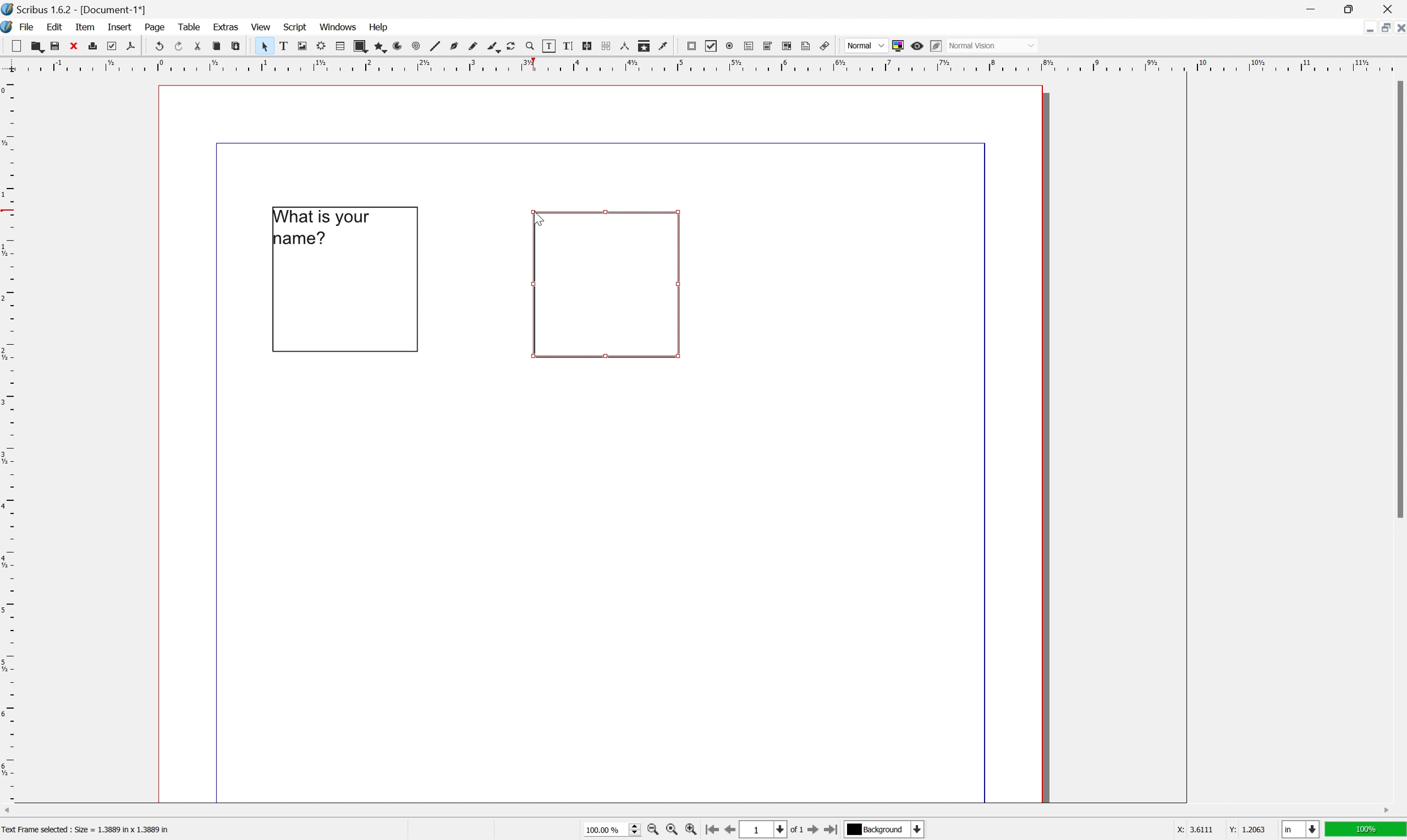  What do you see at coordinates (826, 46) in the screenshot?
I see `link annotation` at bounding box center [826, 46].